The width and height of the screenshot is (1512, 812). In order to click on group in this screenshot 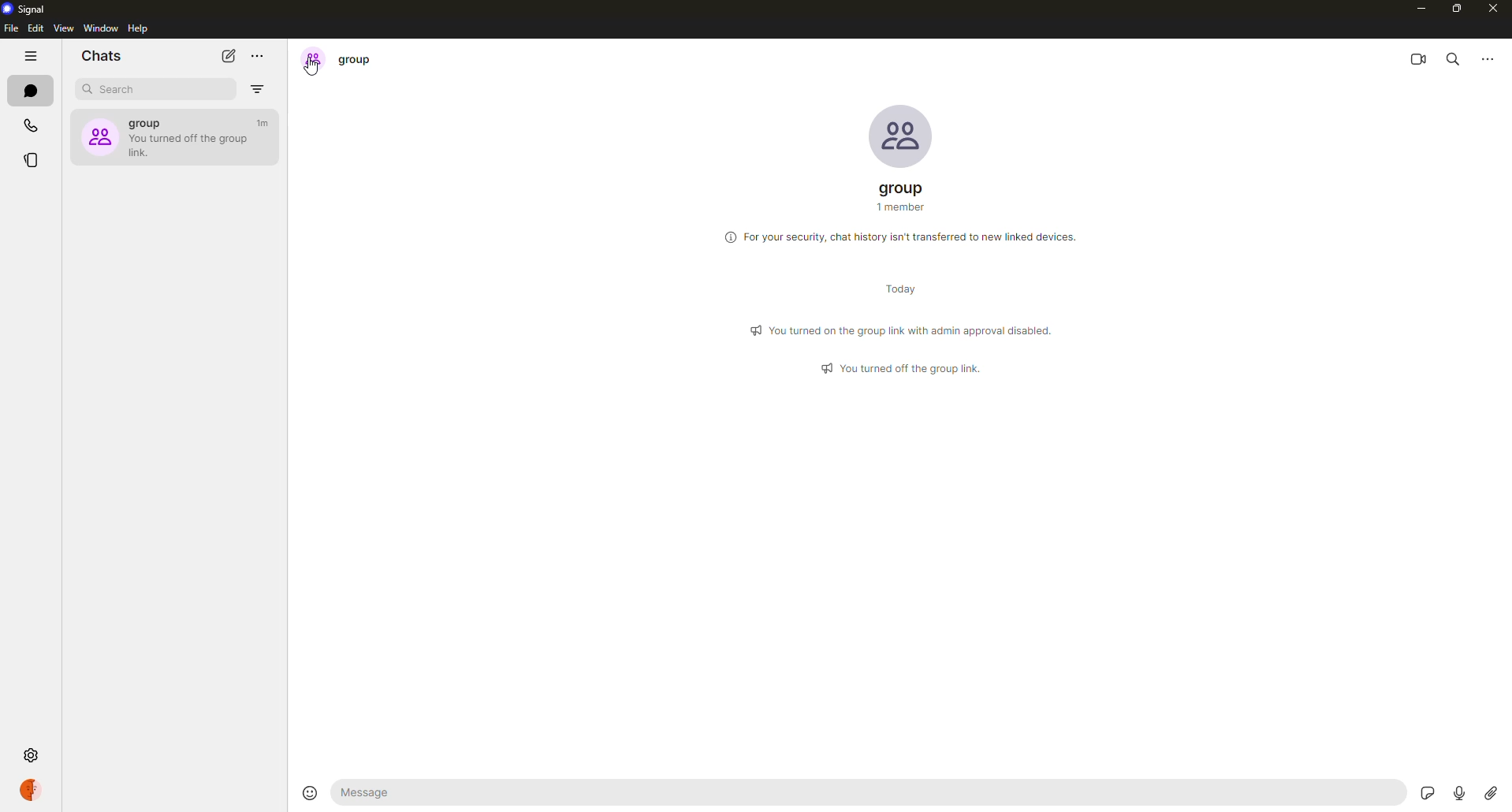, I will do `click(902, 199)`.